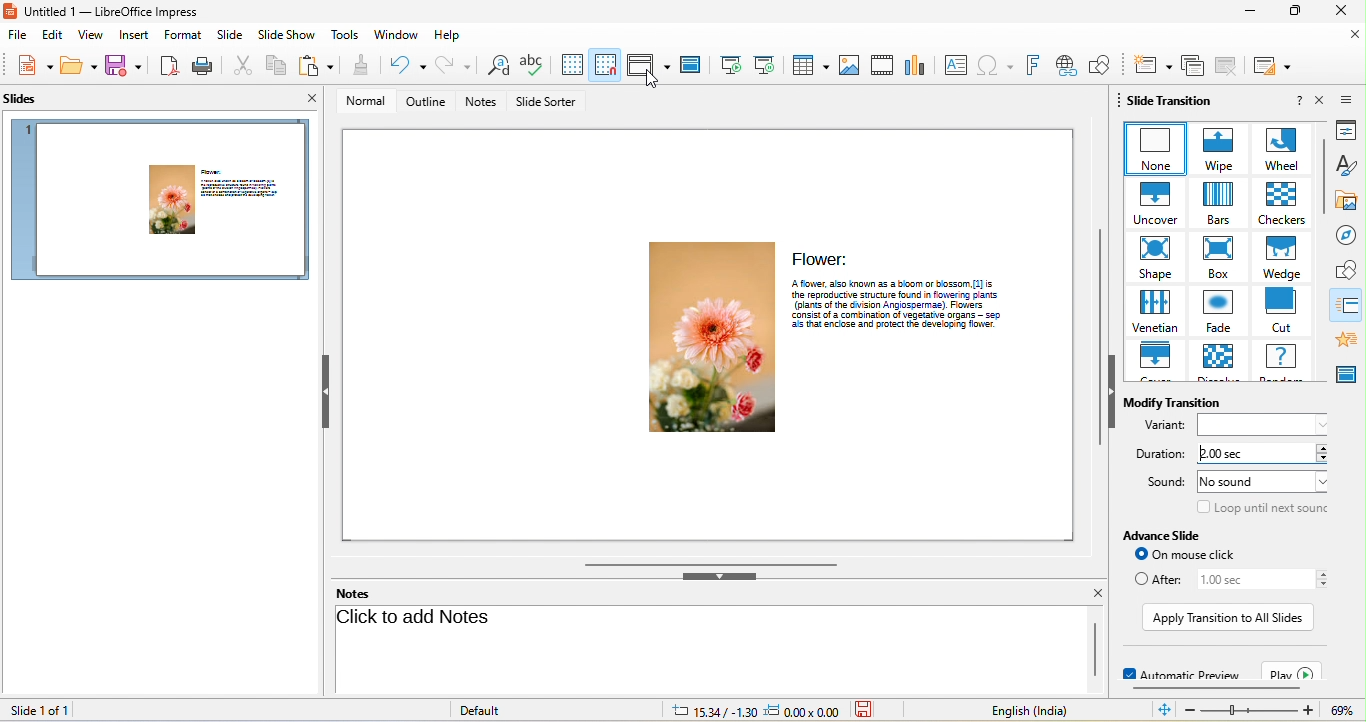 The width and height of the screenshot is (1366, 722). What do you see at coordinates (1216, 313) in the screenshot?
I see `fade` at bounding box center [1216, 313].